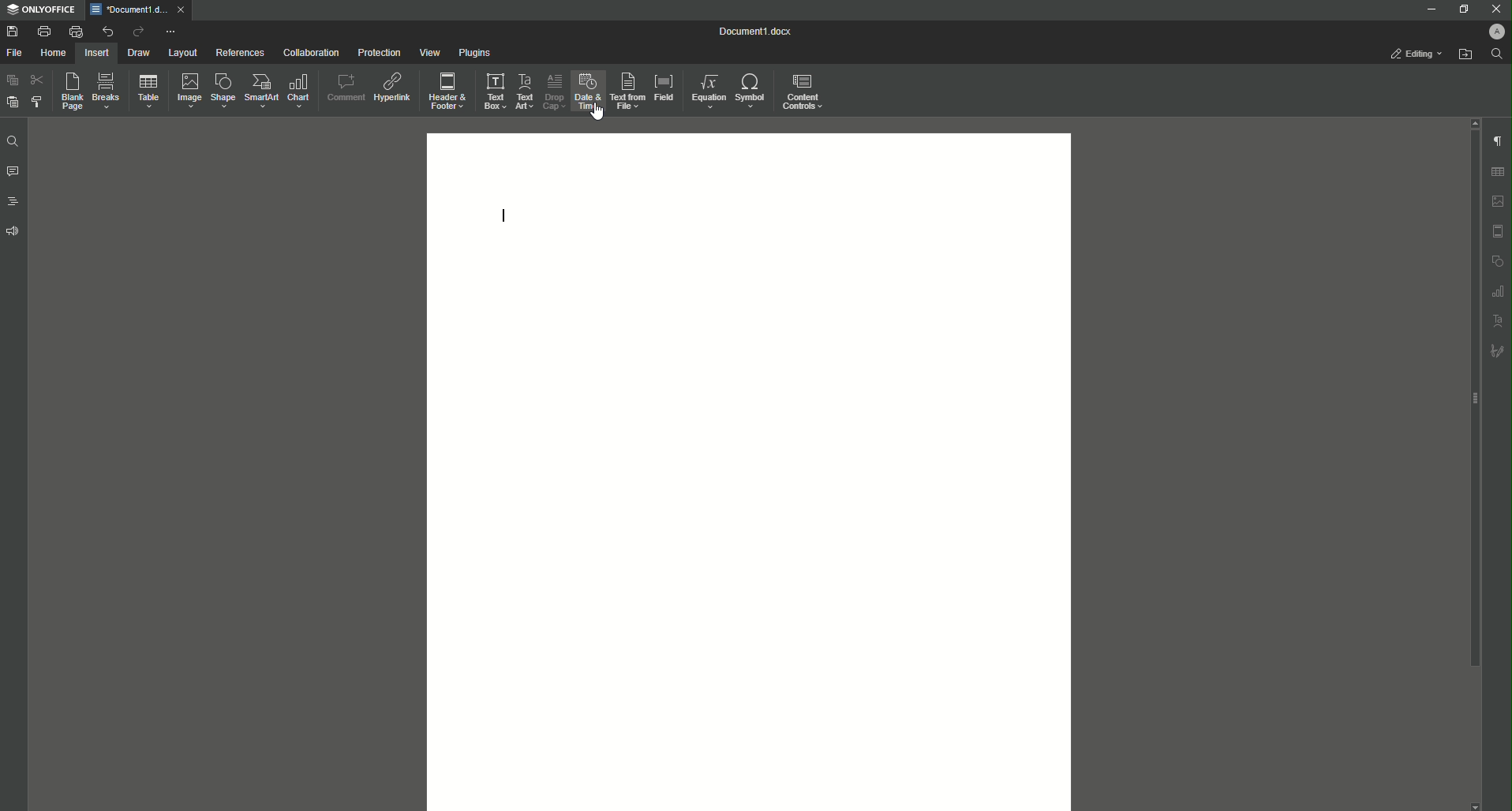 Image resolution: width=1512 pixels, height=811 pixels. What do you see at coordinates (43, 31) in the screenshot?
I see `Print` at bounding box center [43, 31].